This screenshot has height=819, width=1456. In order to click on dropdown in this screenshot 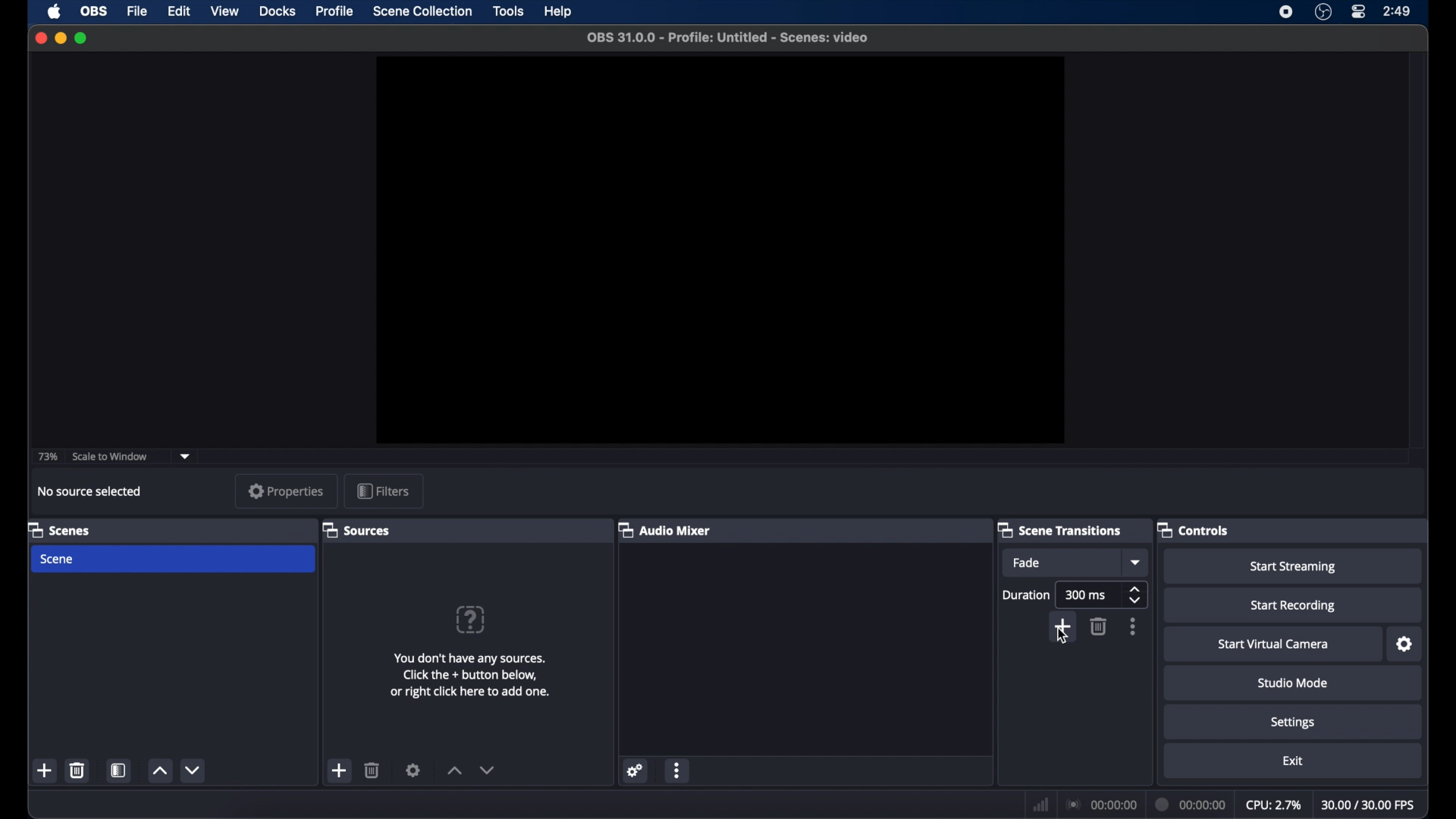, I will do `click(1134, 562)`.